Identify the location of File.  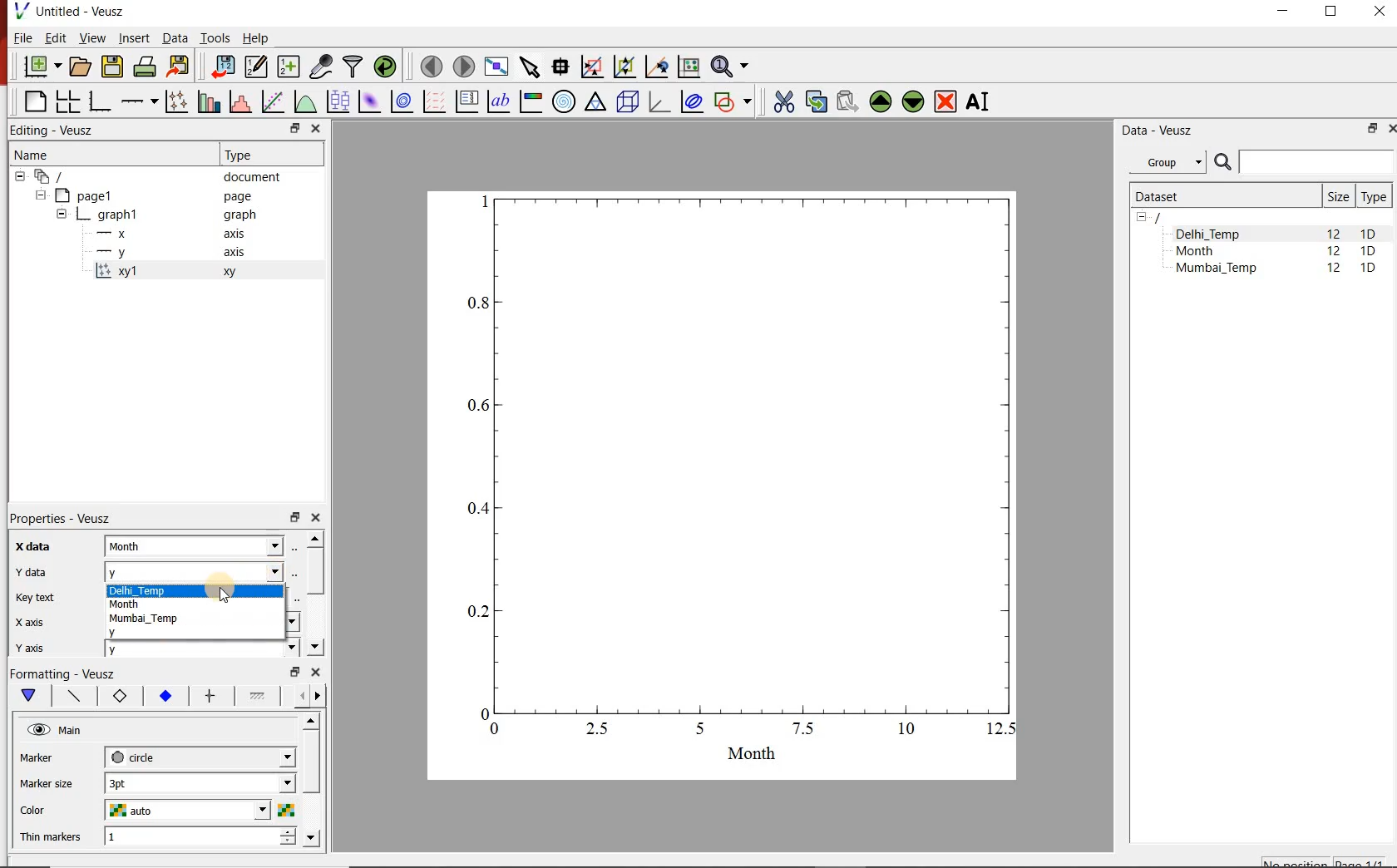
(22, 37).